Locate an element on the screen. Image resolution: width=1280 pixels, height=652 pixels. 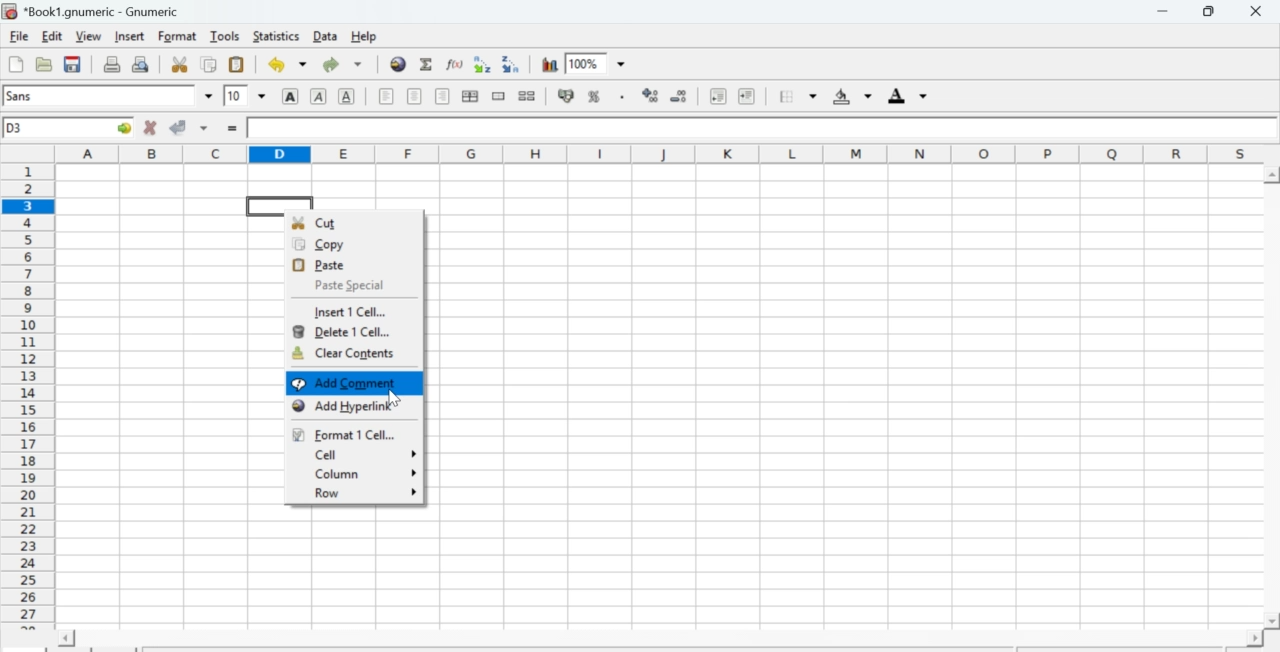
scroll left is located at coordinates (64, 638).